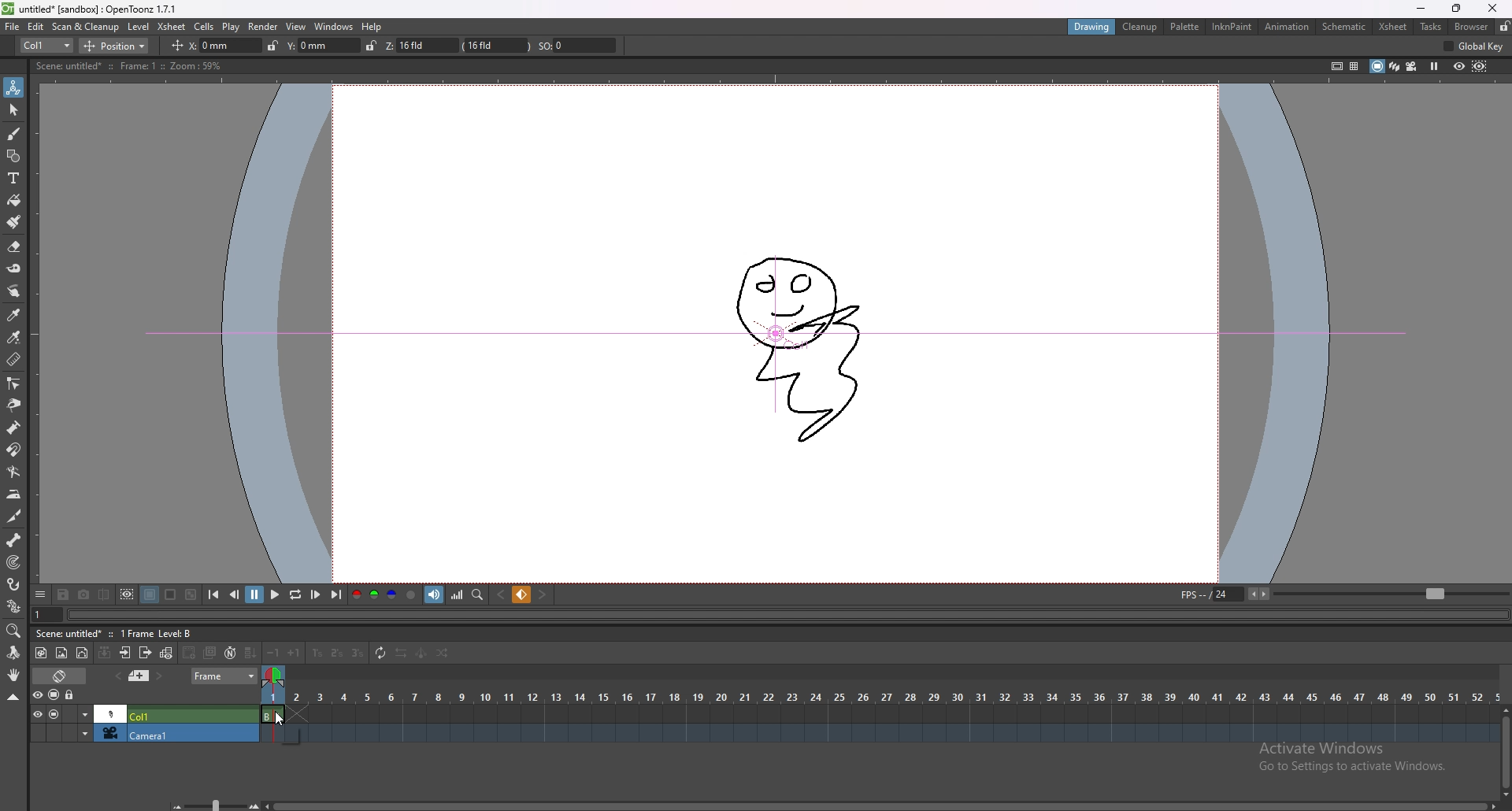  I want to click on locator, so click(478, 594).